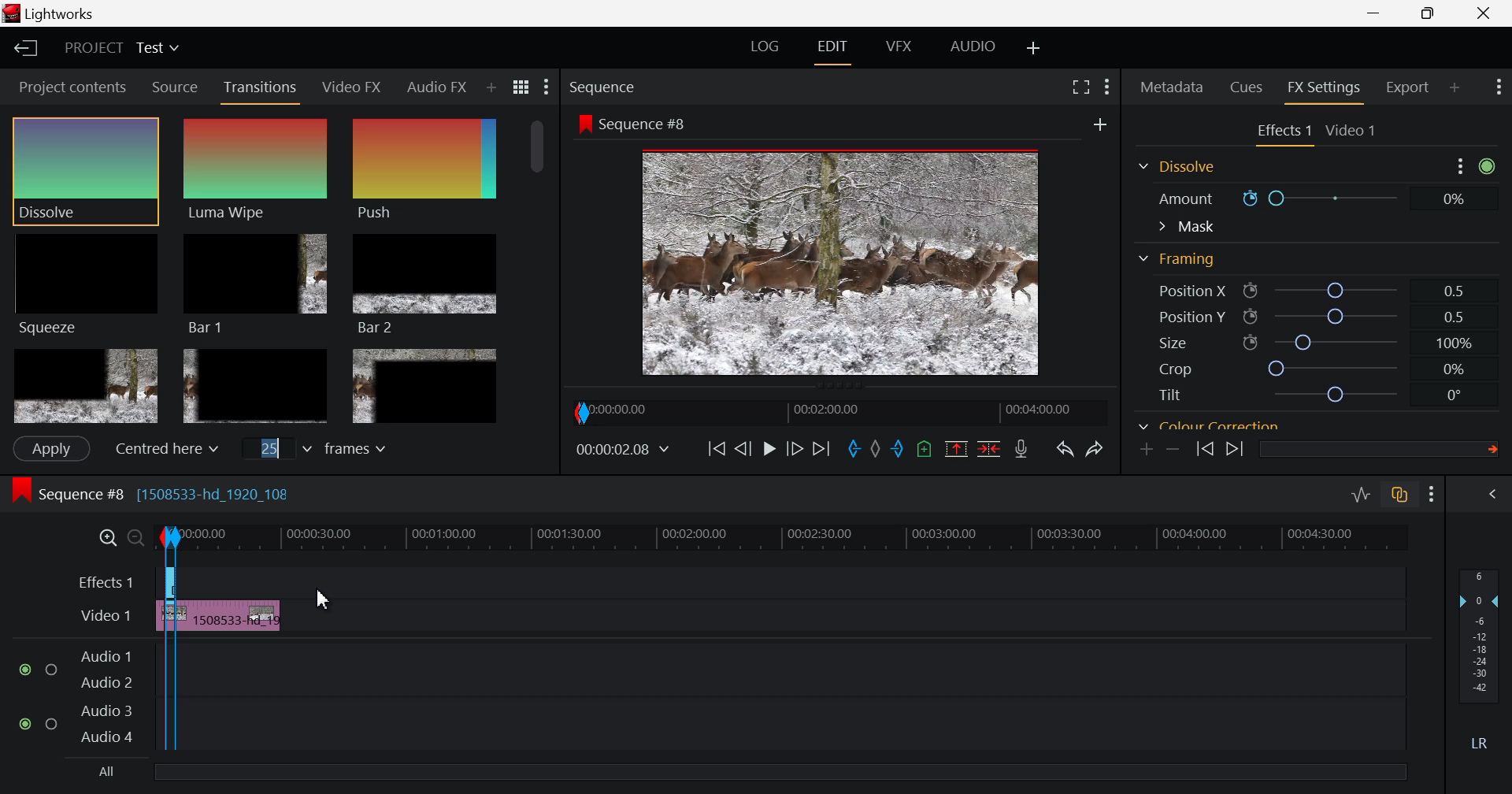  I want to click on Lightworks, so click(56, 14).